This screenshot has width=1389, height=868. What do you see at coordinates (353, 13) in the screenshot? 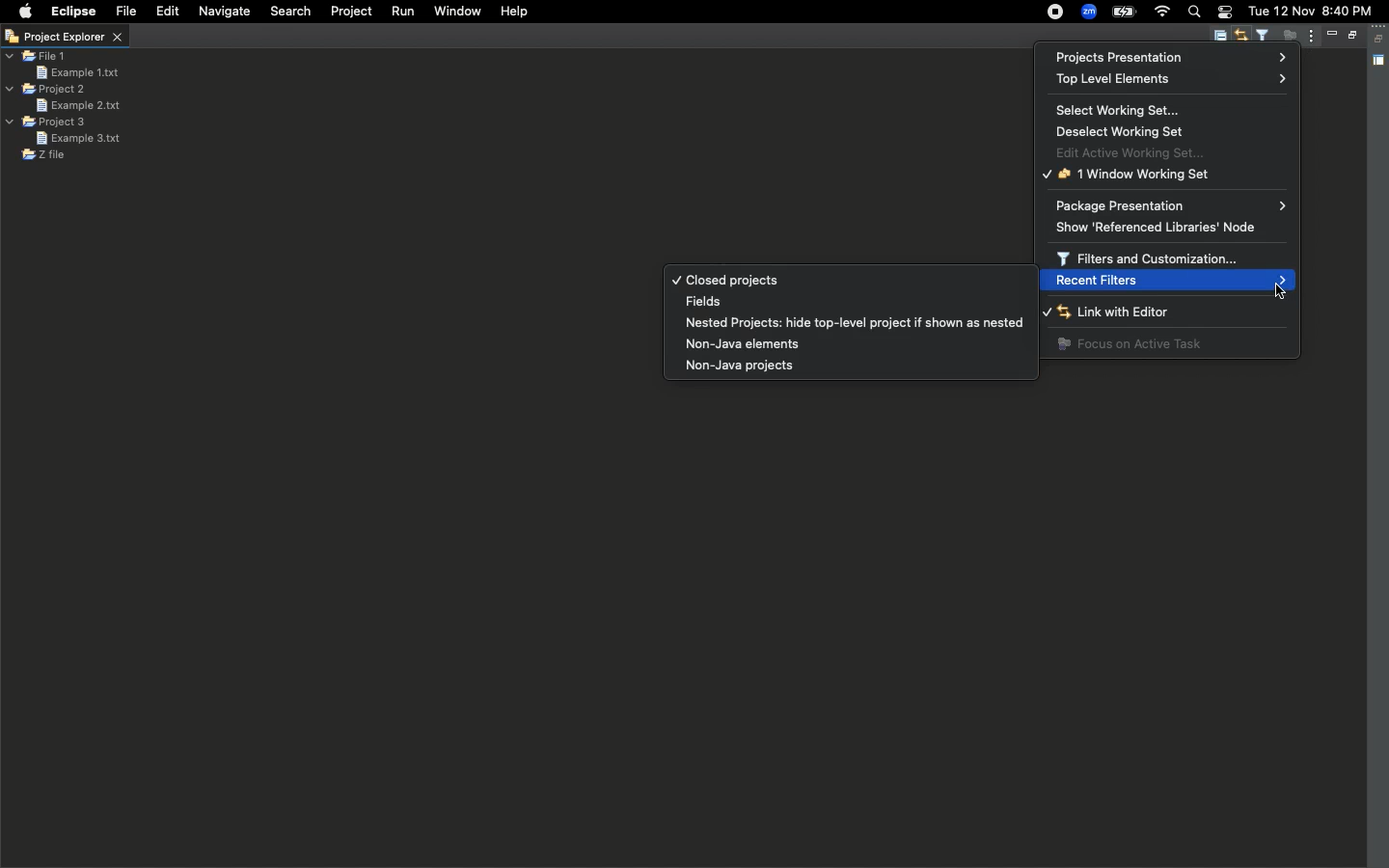
I see `Project` at bounding box center [353, 13].